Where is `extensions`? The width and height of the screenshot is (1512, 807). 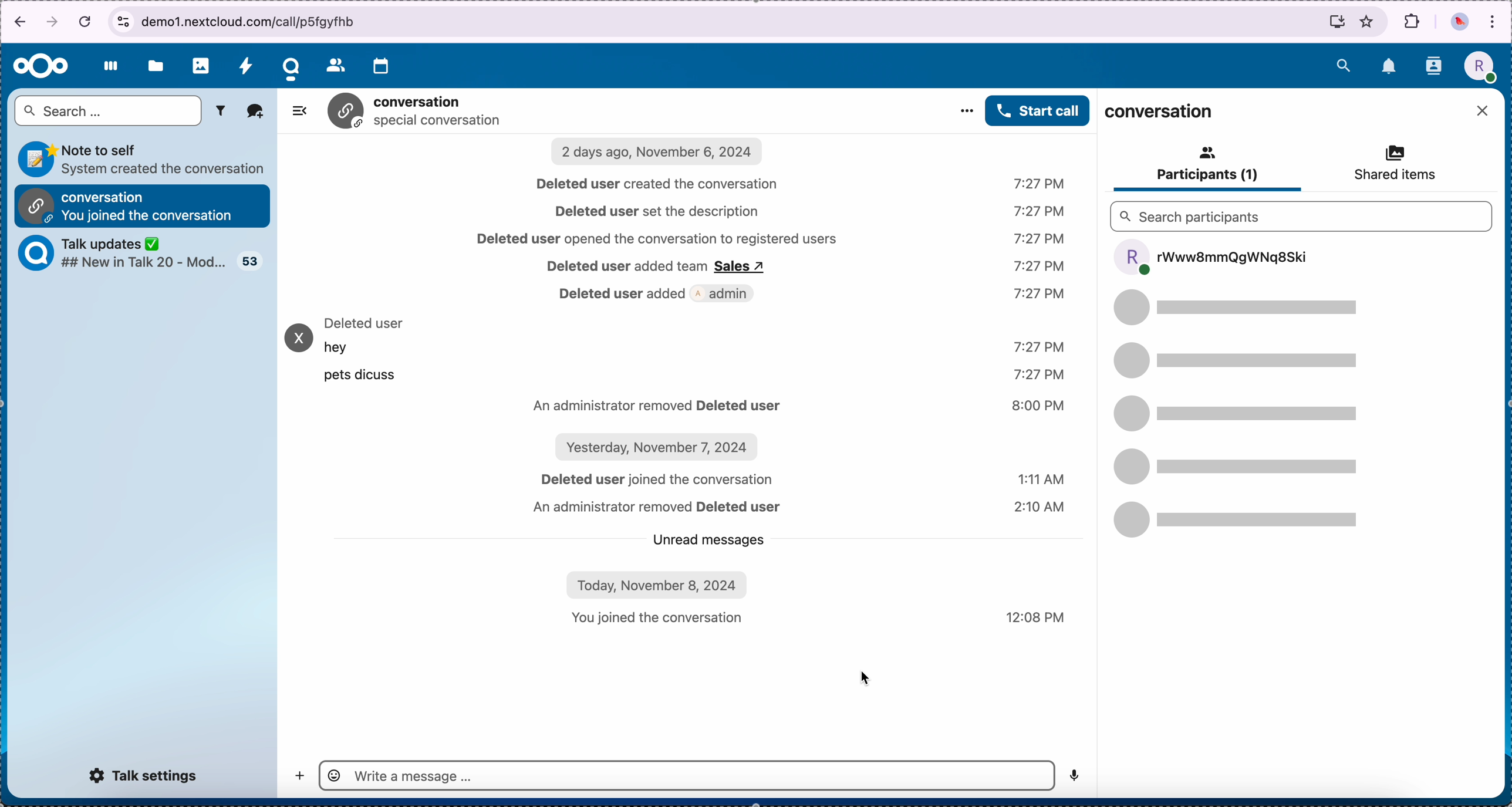
extensions is located at coordinates (1412, 18).